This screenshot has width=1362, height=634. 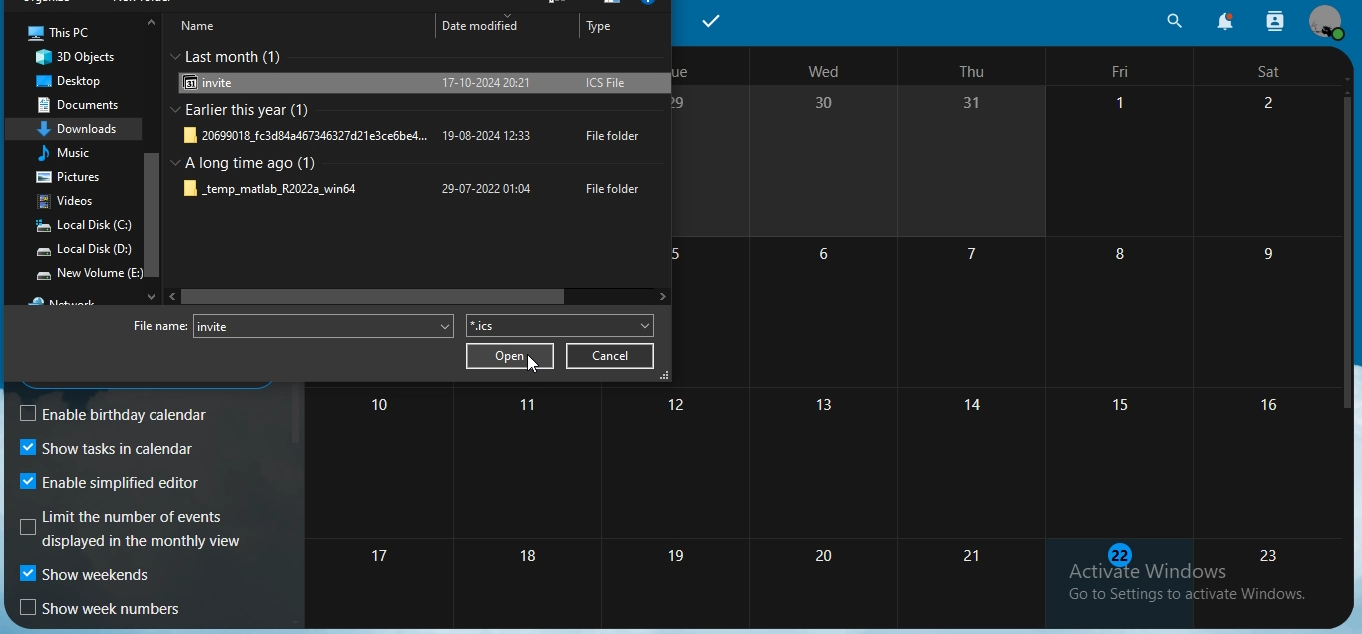 What do you see at coordinates (130, 414) in the screenshot?
I see `enable birthday calendar` at bounding box center [130, 414].